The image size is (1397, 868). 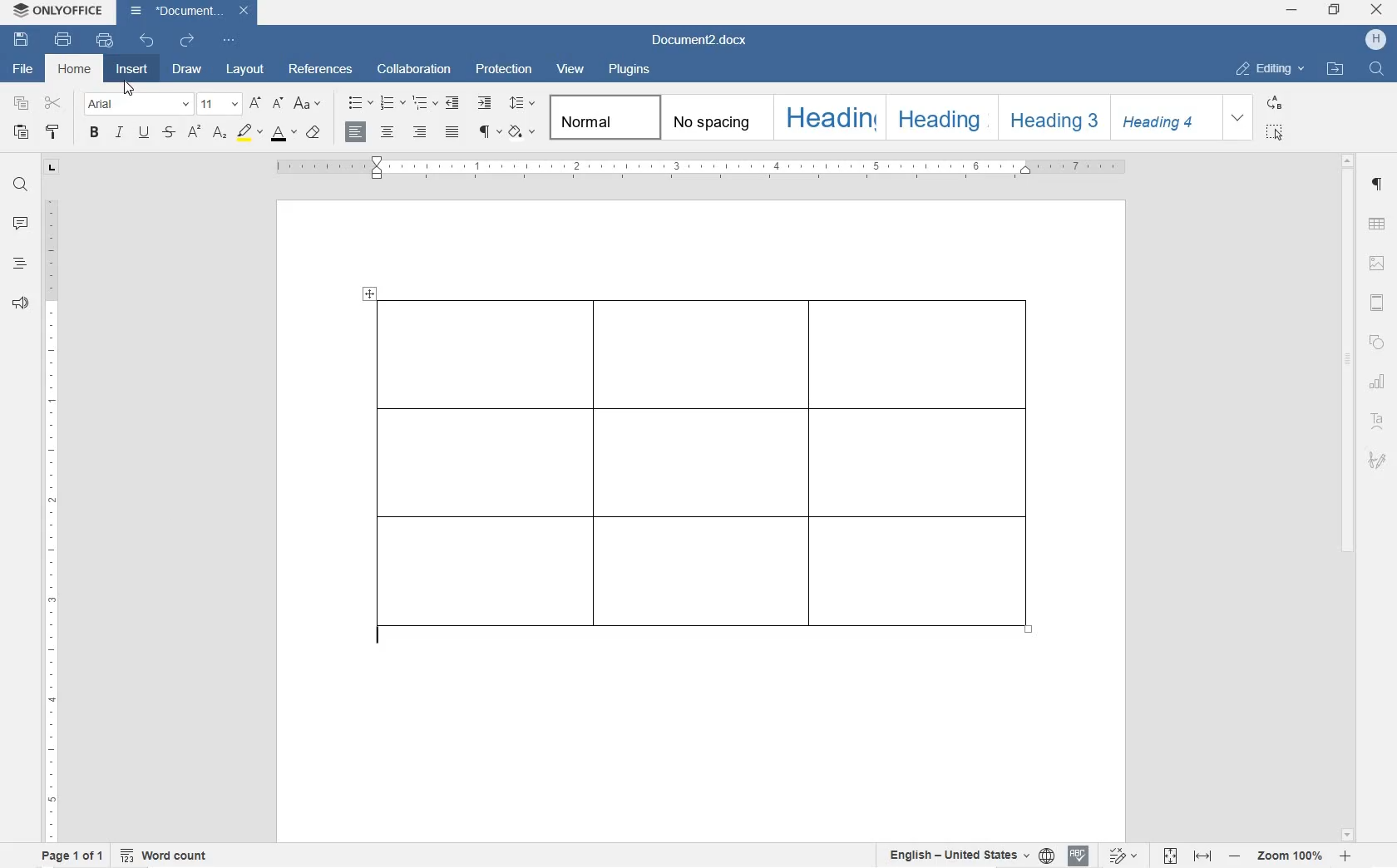 What do you see at coordinates (358, 103) in the screenshot?
I see `bullets` at bounding box center [358, 103].